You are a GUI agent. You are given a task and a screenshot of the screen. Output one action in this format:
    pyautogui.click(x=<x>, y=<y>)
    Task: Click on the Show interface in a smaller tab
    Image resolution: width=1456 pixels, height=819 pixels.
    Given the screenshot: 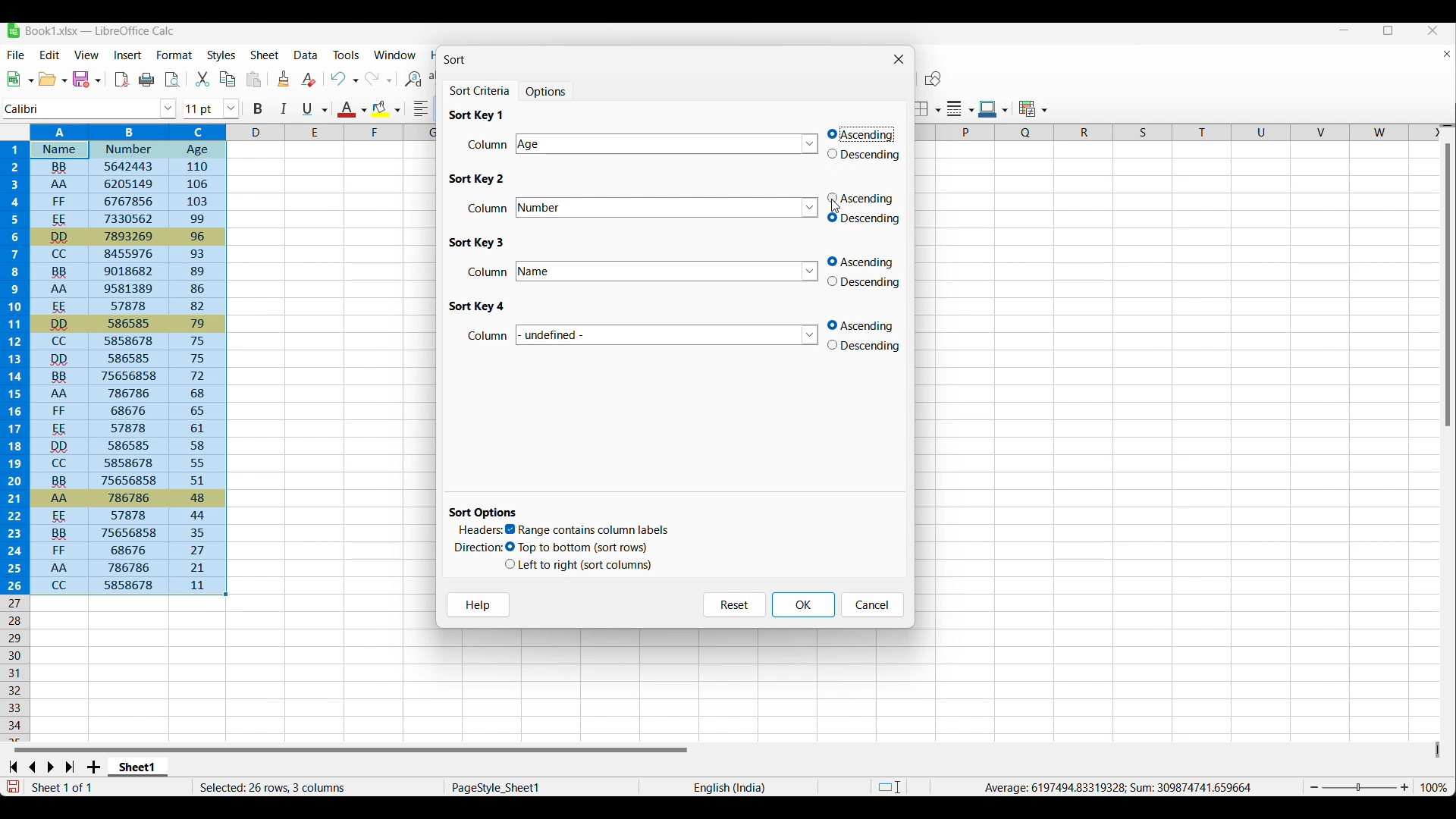 What is the action you would take?
    pyautogui.click(x=1389, y=30)
    